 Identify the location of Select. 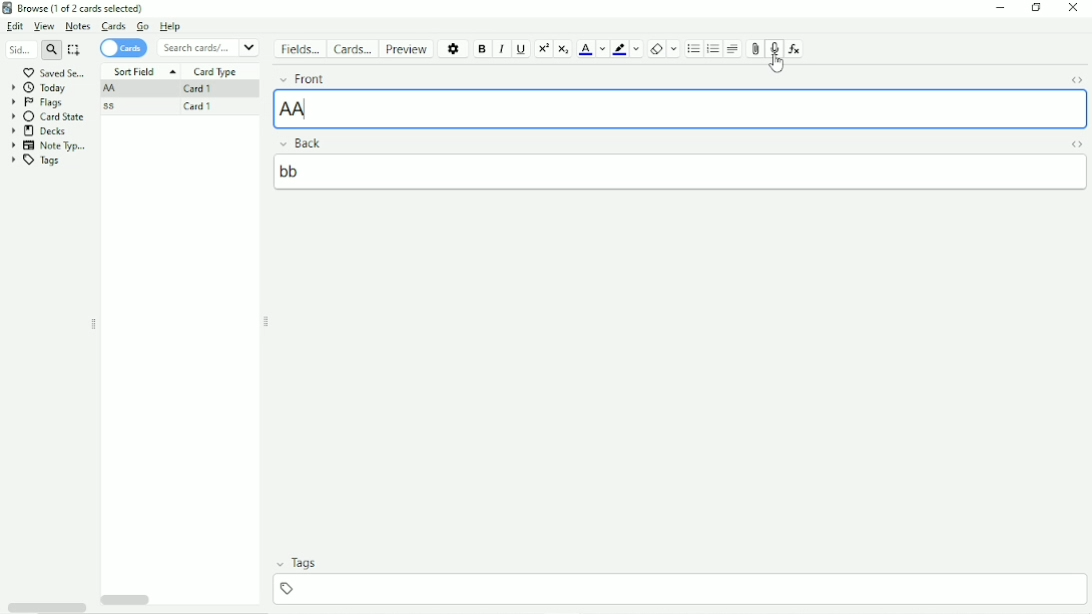
(75, 50).